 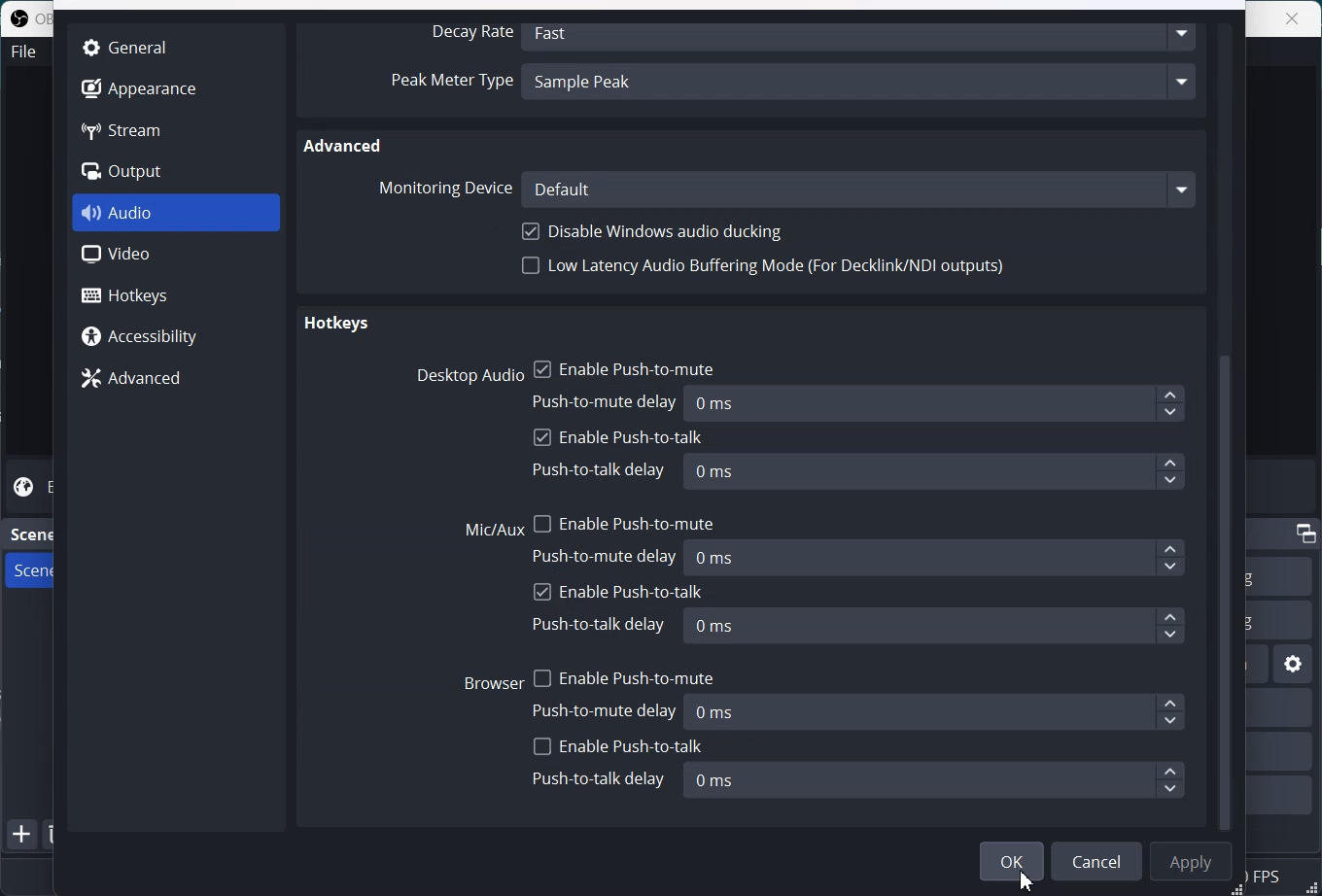 What do you see at coordinates (936, 627) in the screenshot?
I see `0 ms` at bounding box center [936, 627].